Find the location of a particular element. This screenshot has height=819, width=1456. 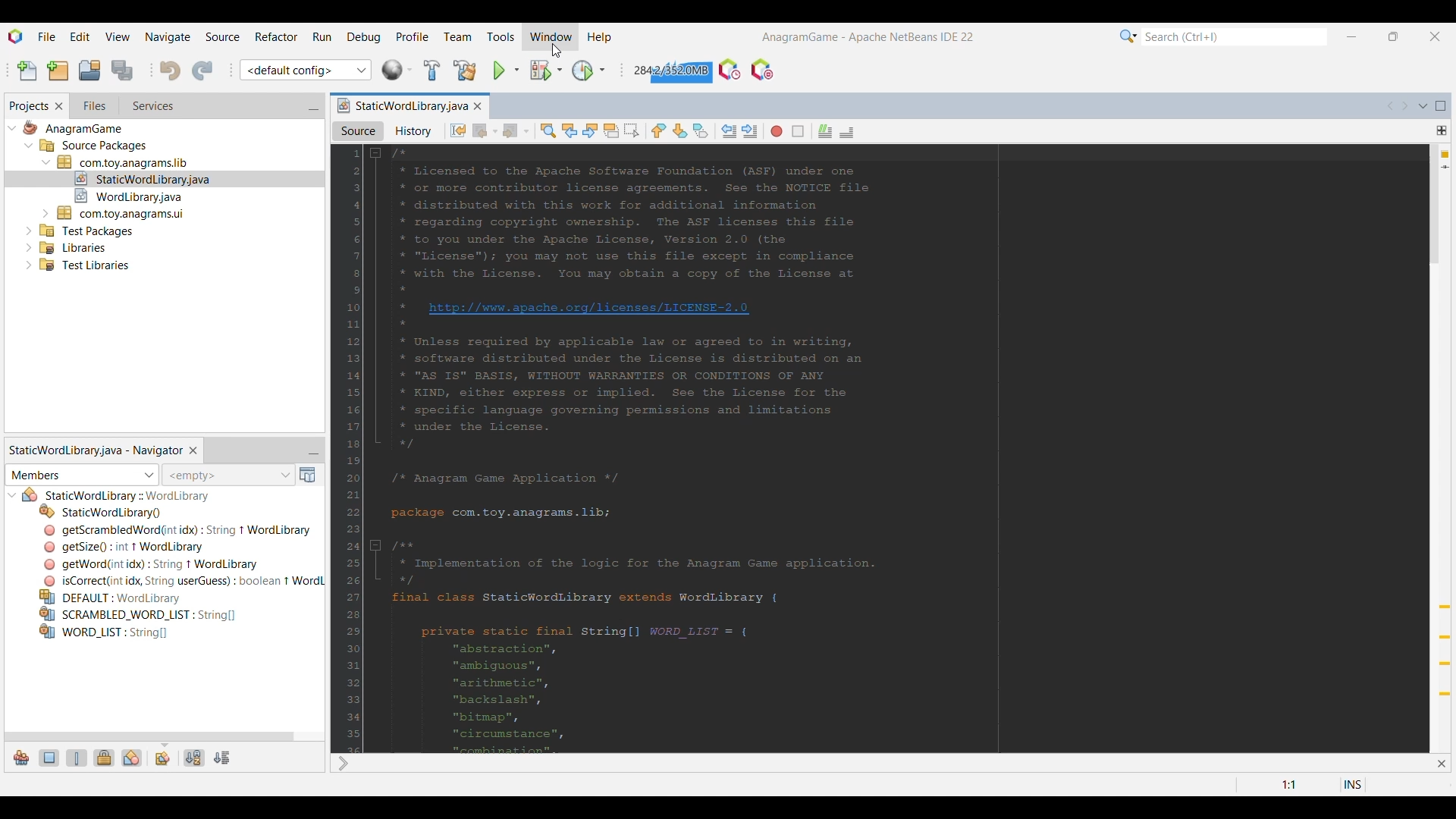

Current script is located at coordinates (664, 213).